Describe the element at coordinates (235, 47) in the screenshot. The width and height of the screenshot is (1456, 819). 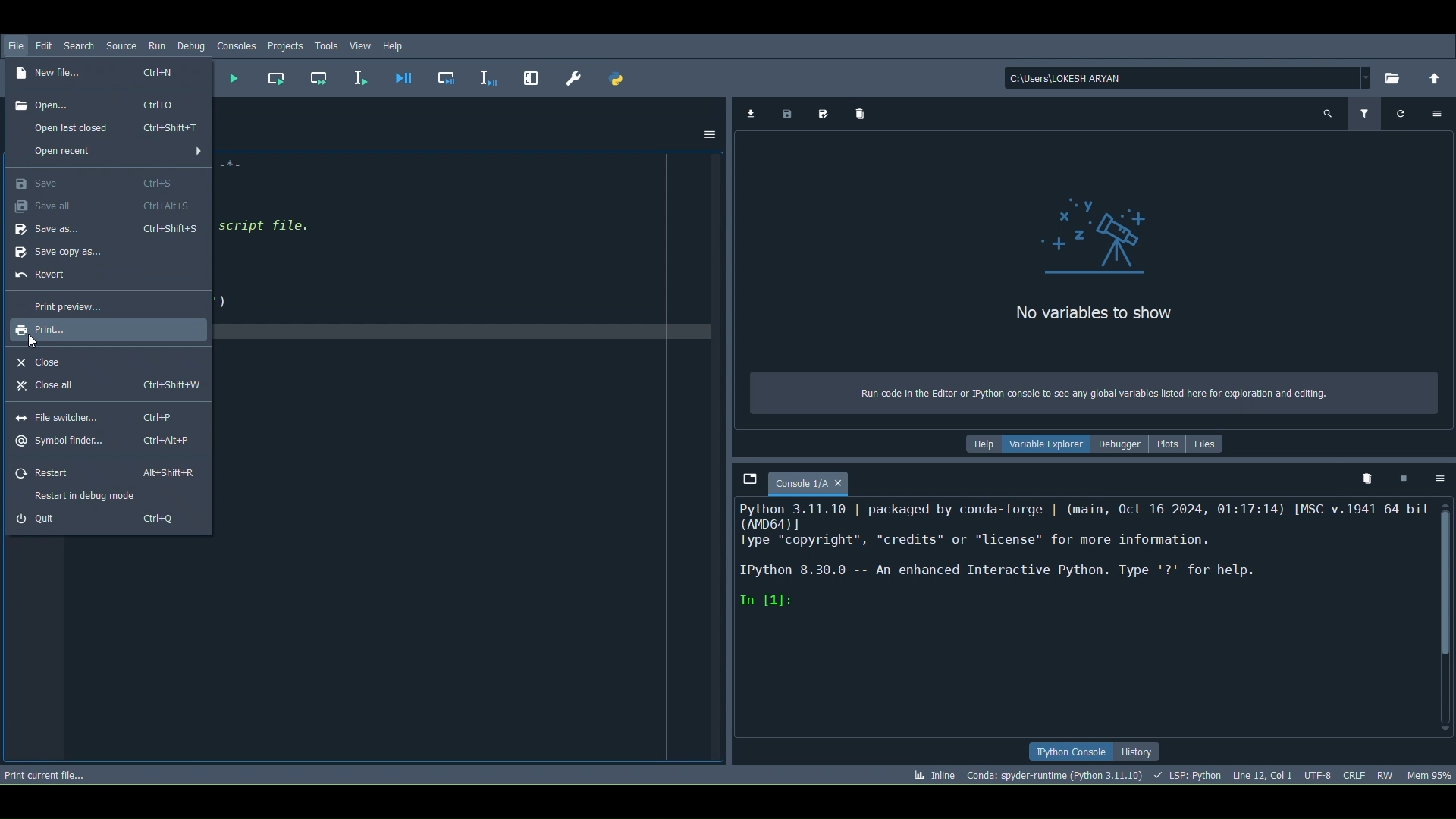
I see `Consoles` at that location.